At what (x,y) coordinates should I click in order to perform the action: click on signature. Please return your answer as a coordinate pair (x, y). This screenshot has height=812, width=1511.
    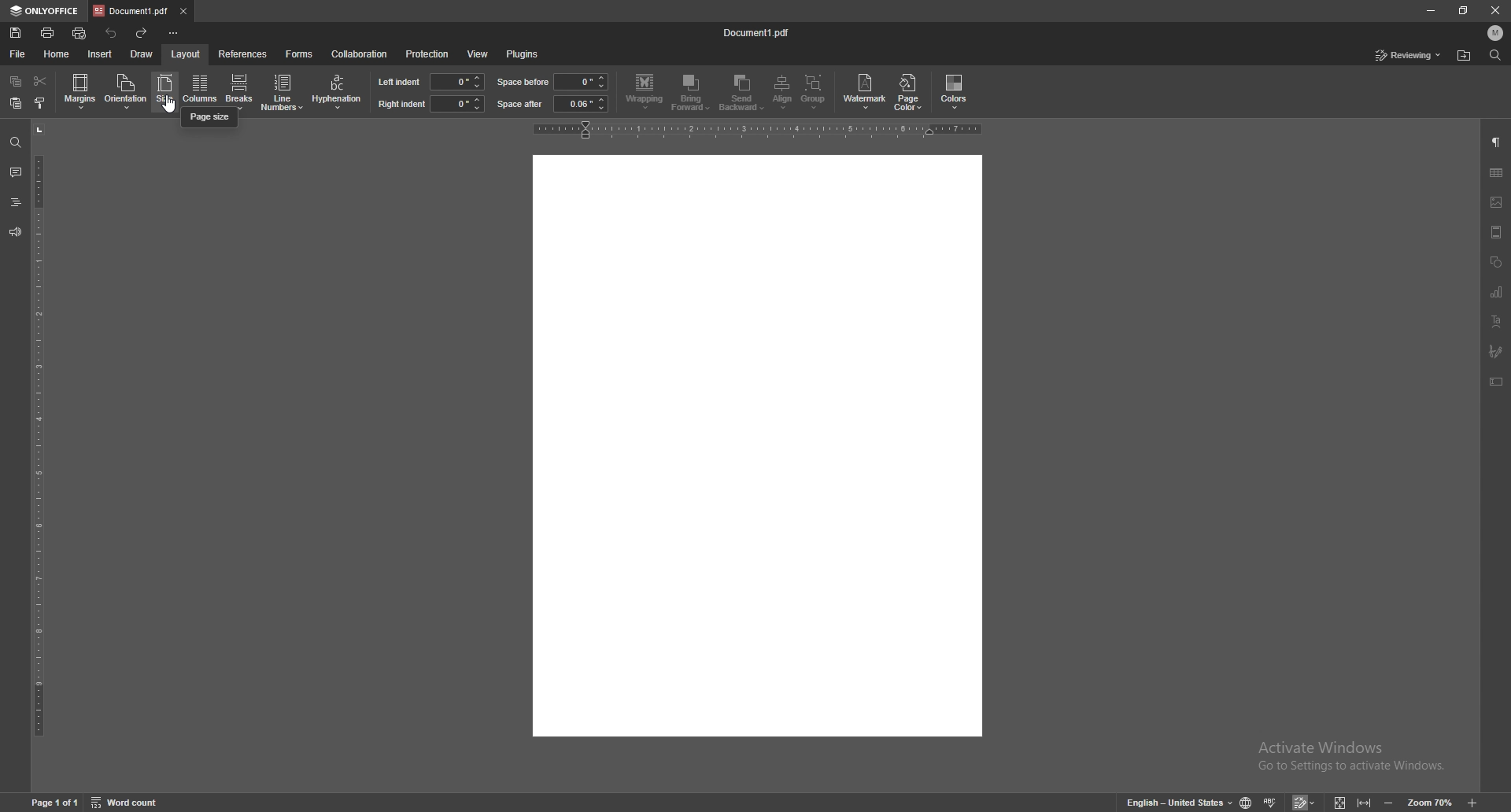
    Looking at the image, I should click on (1495, 351).